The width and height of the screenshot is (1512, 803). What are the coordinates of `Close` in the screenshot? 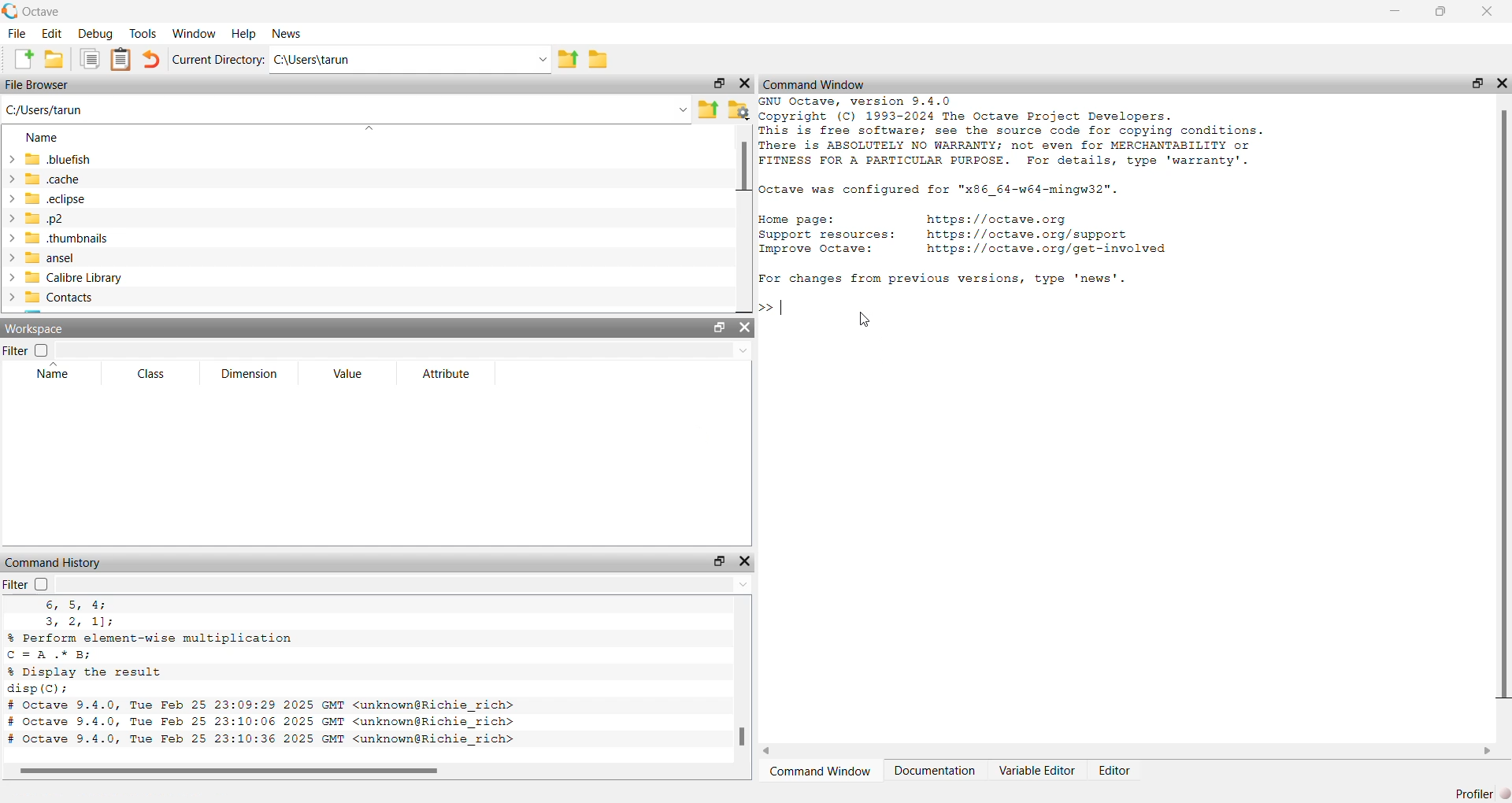 It's located at (745, 328).